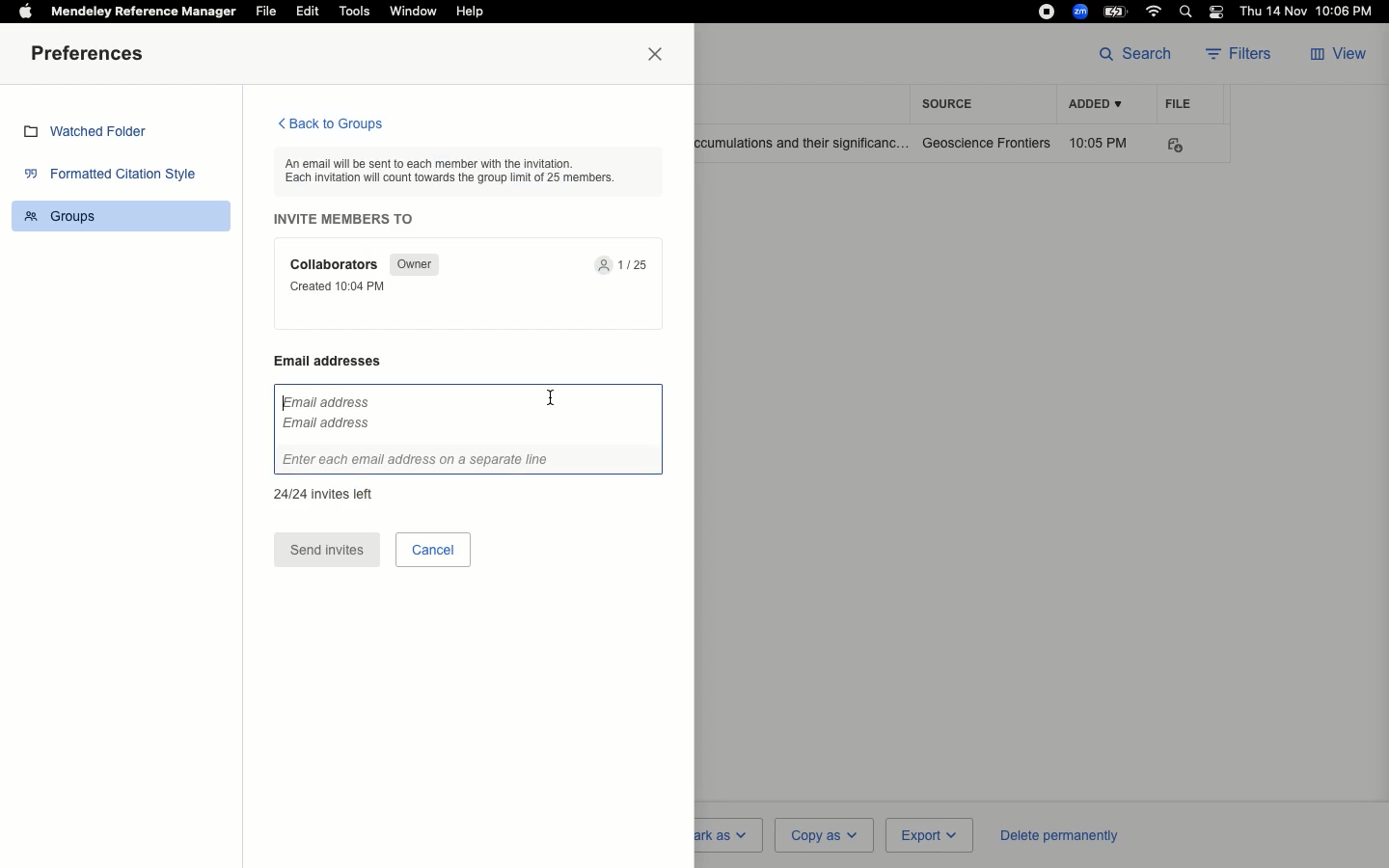 Image resolution: width=1389 pixels, height=868 pixels. Describe the element at coordinates (1188, 146) in the screenshot. I see `PDF` at that location.